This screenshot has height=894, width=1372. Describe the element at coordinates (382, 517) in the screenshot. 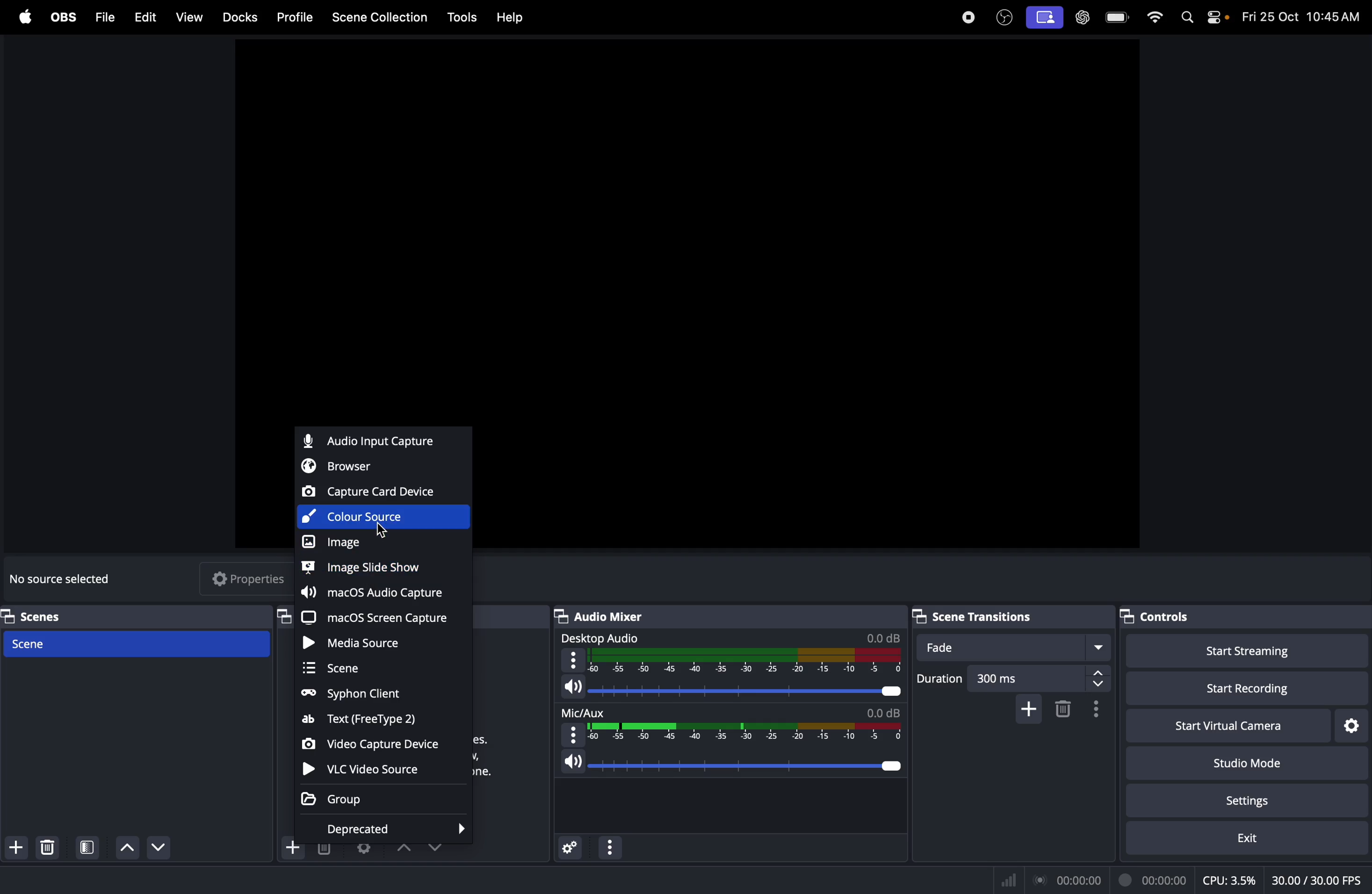

I see `color source` at that location.